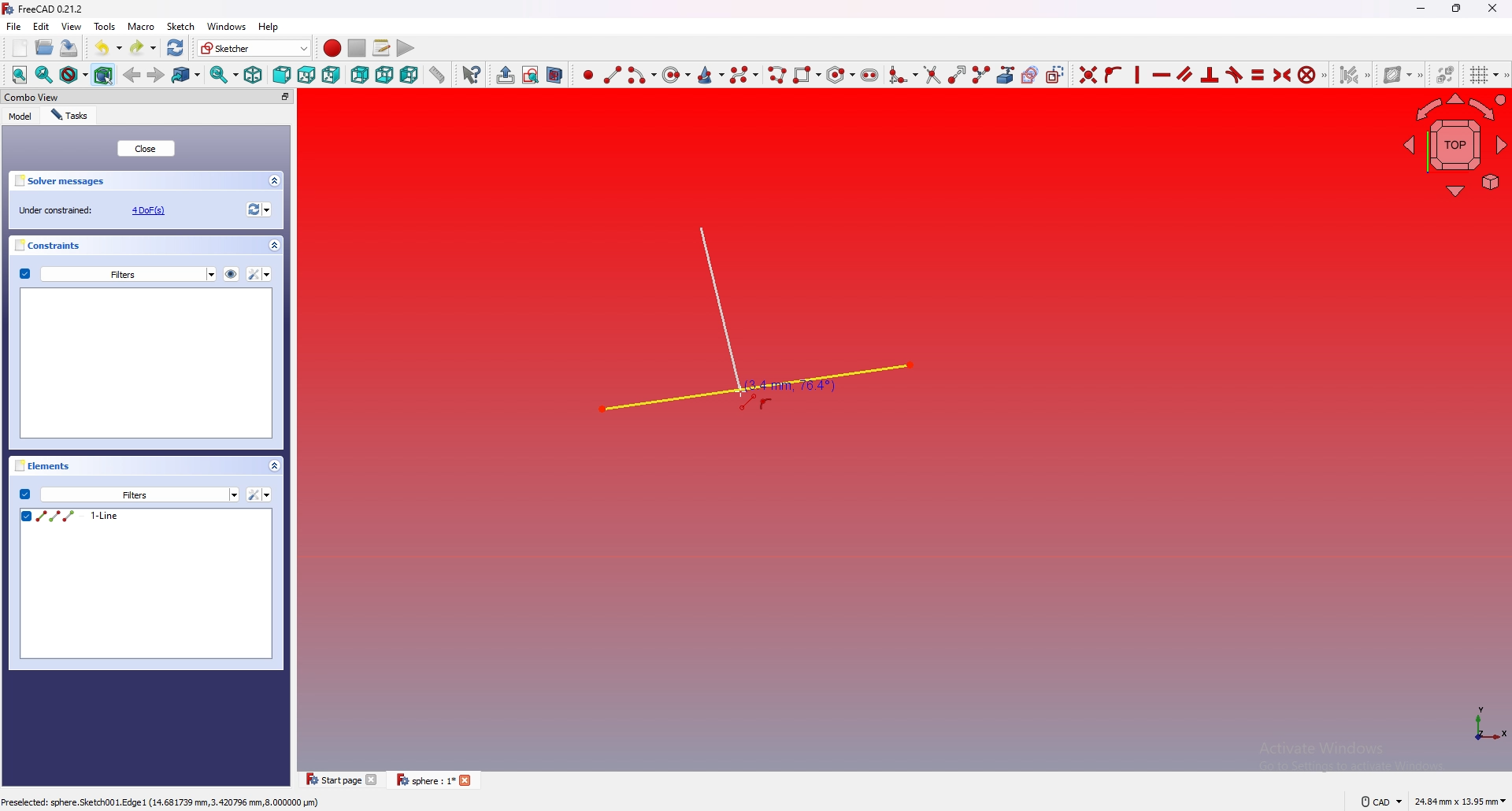  What do you see at coordinates (142, 27) in the screenshot?
I see `Marco` at bounding box center [142, 27].